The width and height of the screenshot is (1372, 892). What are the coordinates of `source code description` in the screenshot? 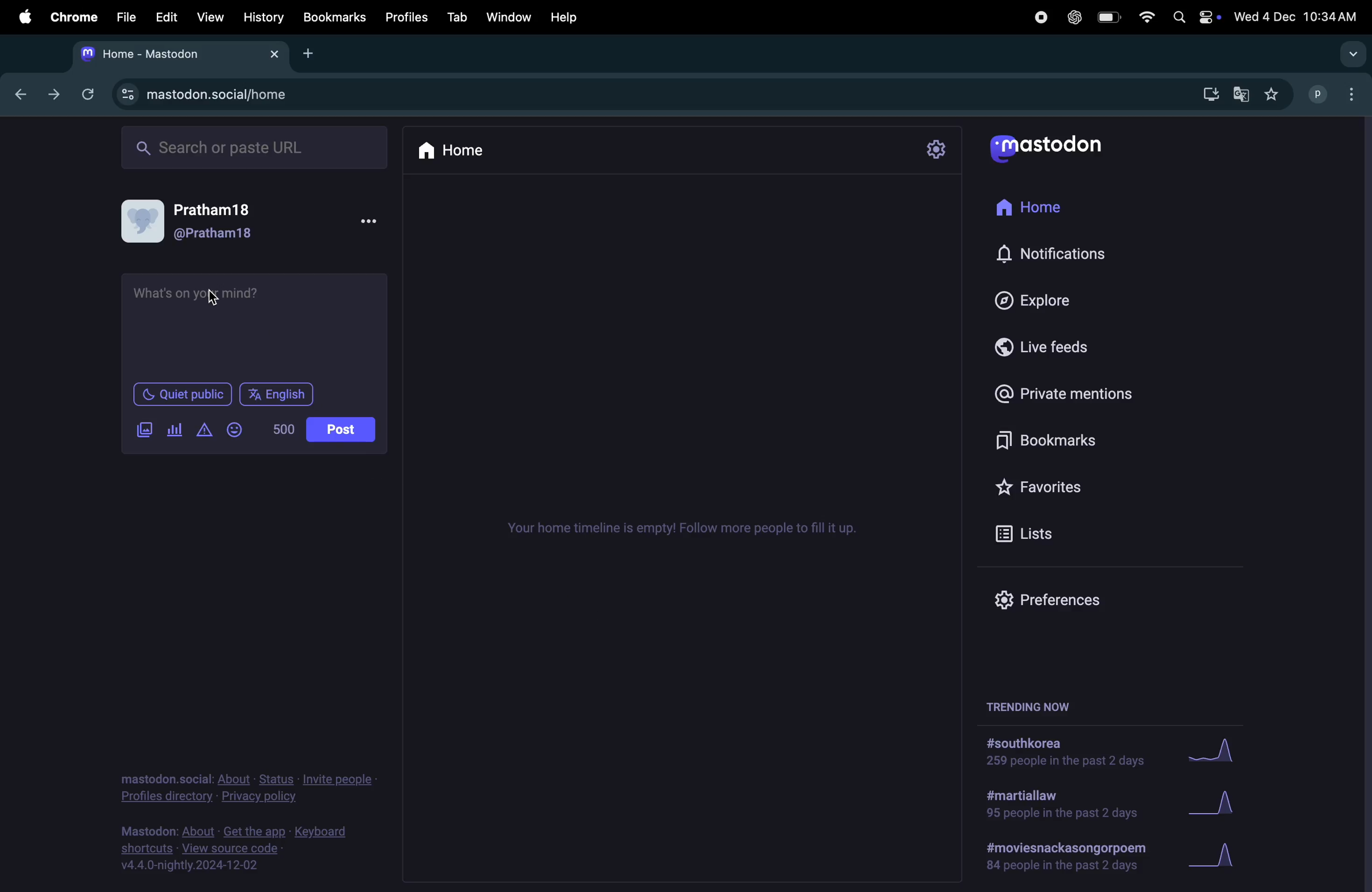 It's located at (239, 848).